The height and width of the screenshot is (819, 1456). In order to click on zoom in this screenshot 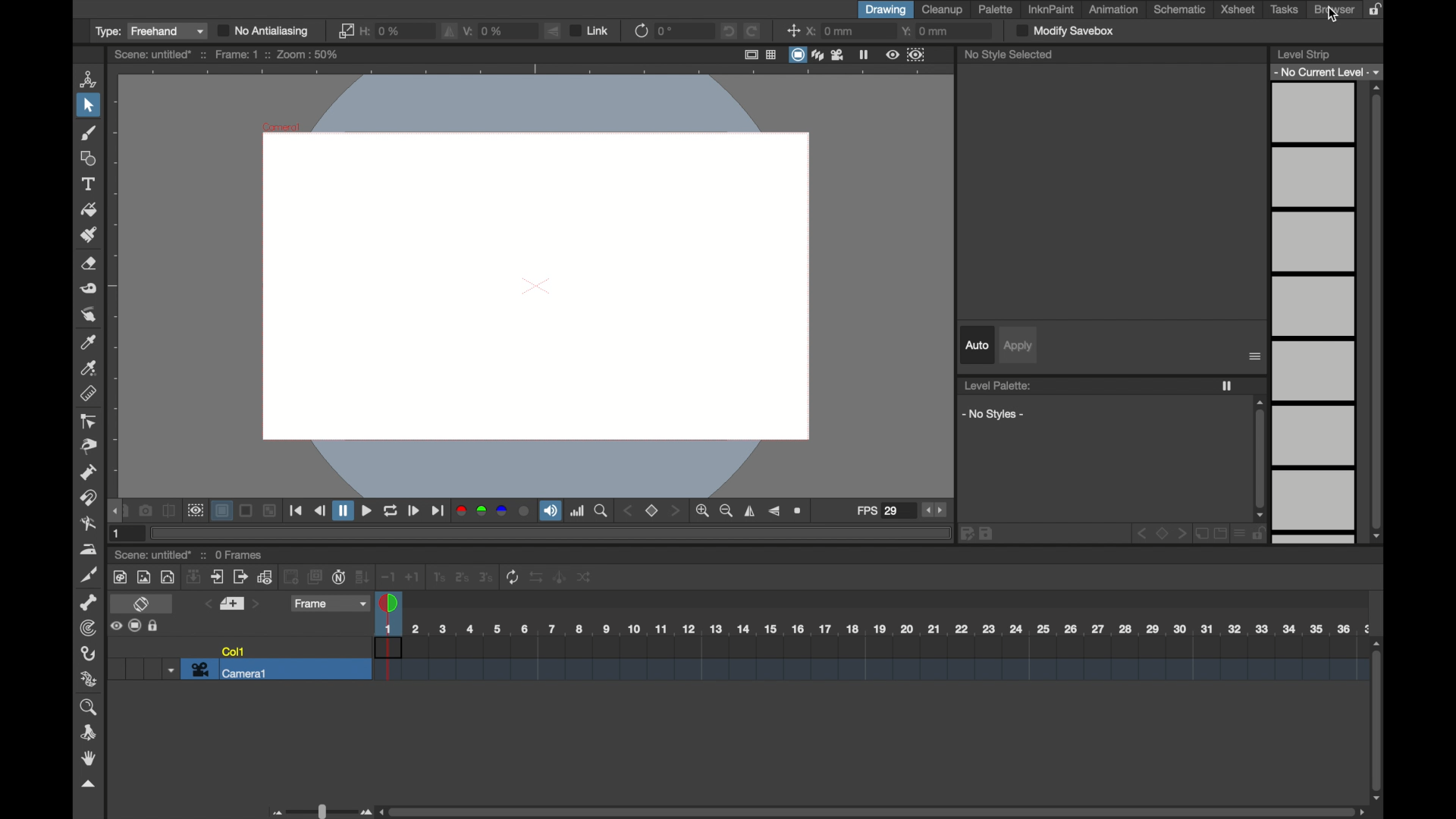, I will do `click(89, 707)`.